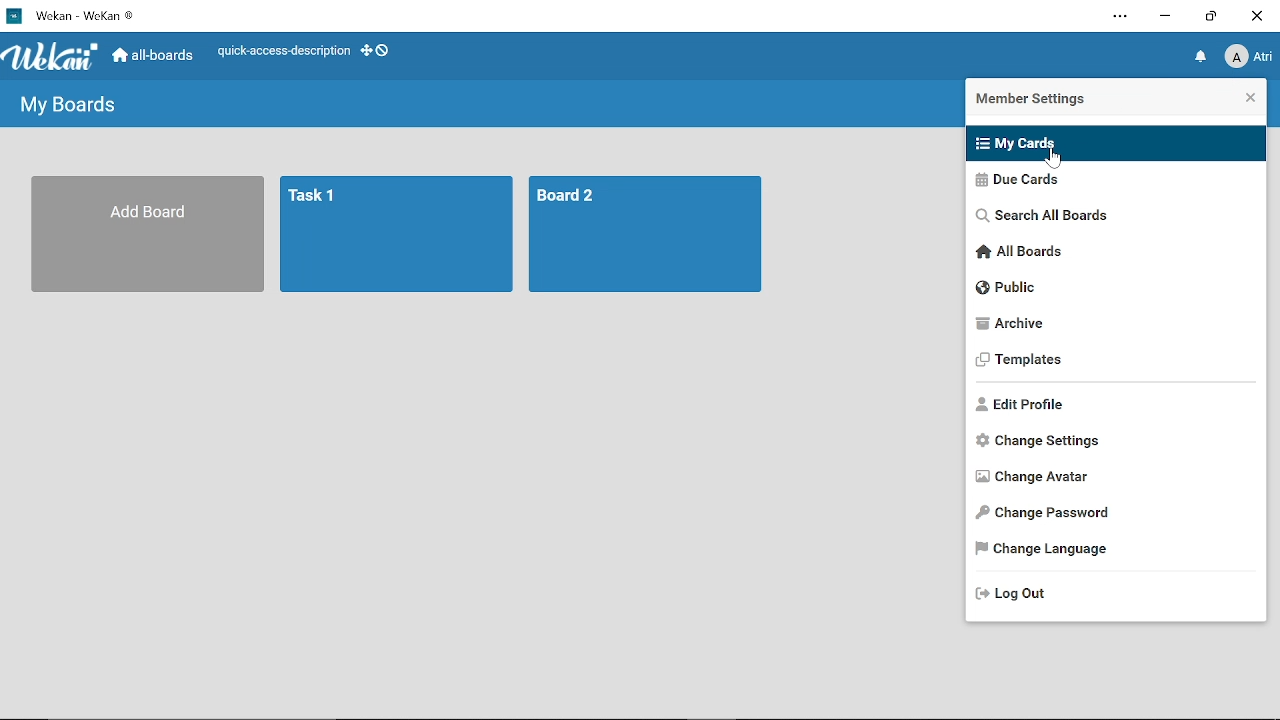 The image size is (1280, 720). What do you see at coordinates (1248, 98) in the screenshot?
I see `Close` at bounding box center [1248, 98].